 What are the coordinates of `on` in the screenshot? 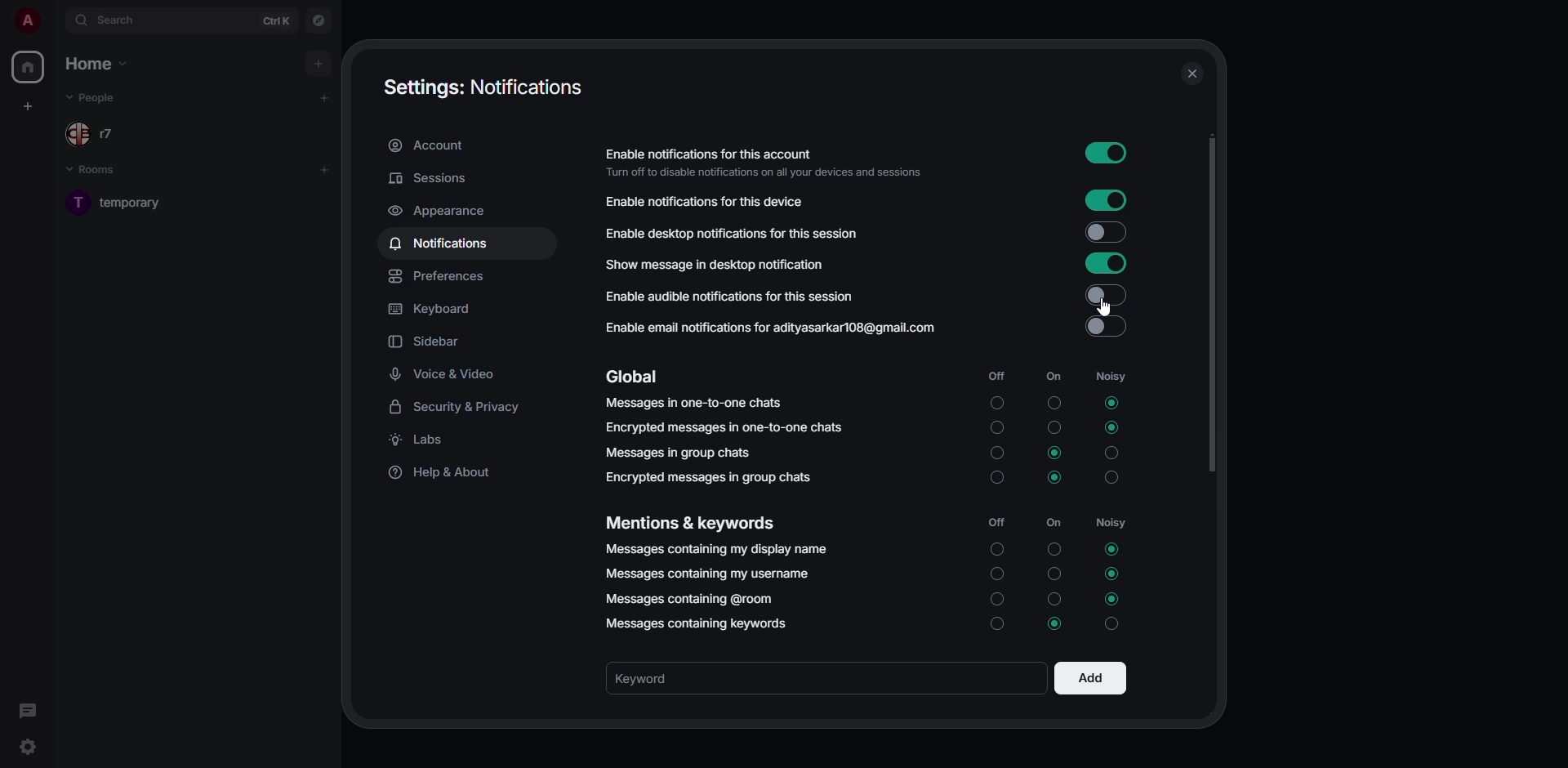 It's located at (1049, 599).